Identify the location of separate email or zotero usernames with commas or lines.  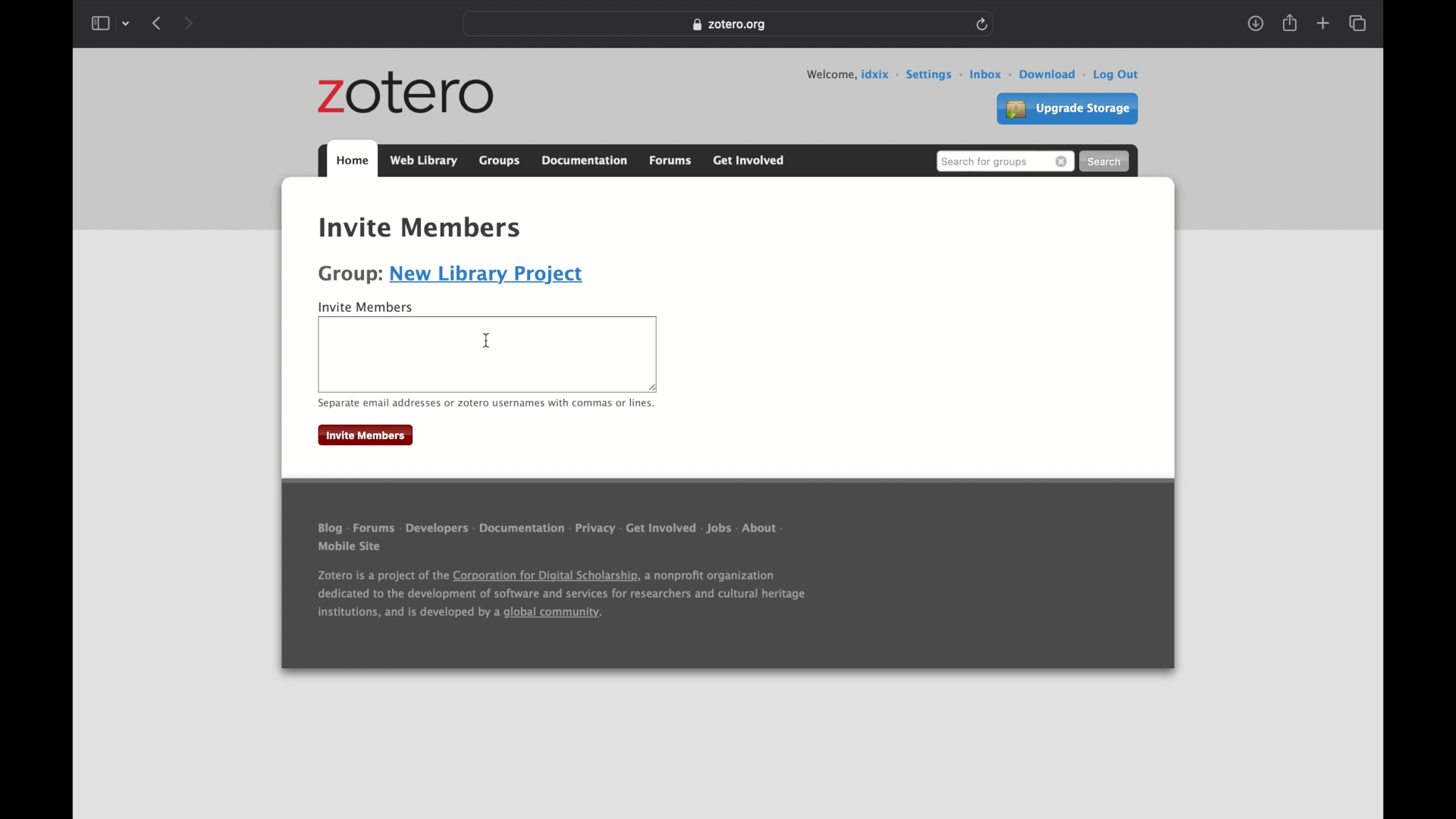
(485, 405).